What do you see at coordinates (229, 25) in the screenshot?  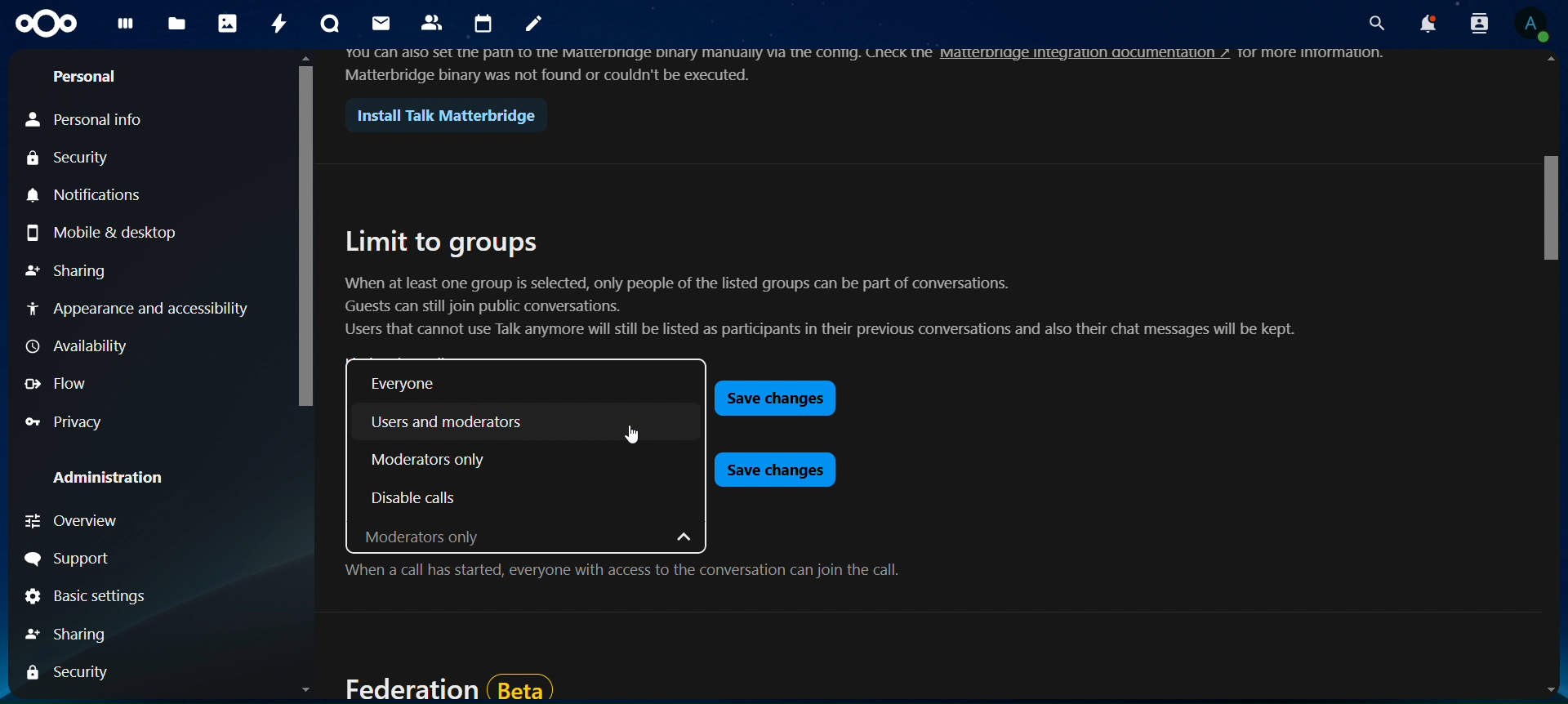 I see `photos` at bounding box center [229, 25].